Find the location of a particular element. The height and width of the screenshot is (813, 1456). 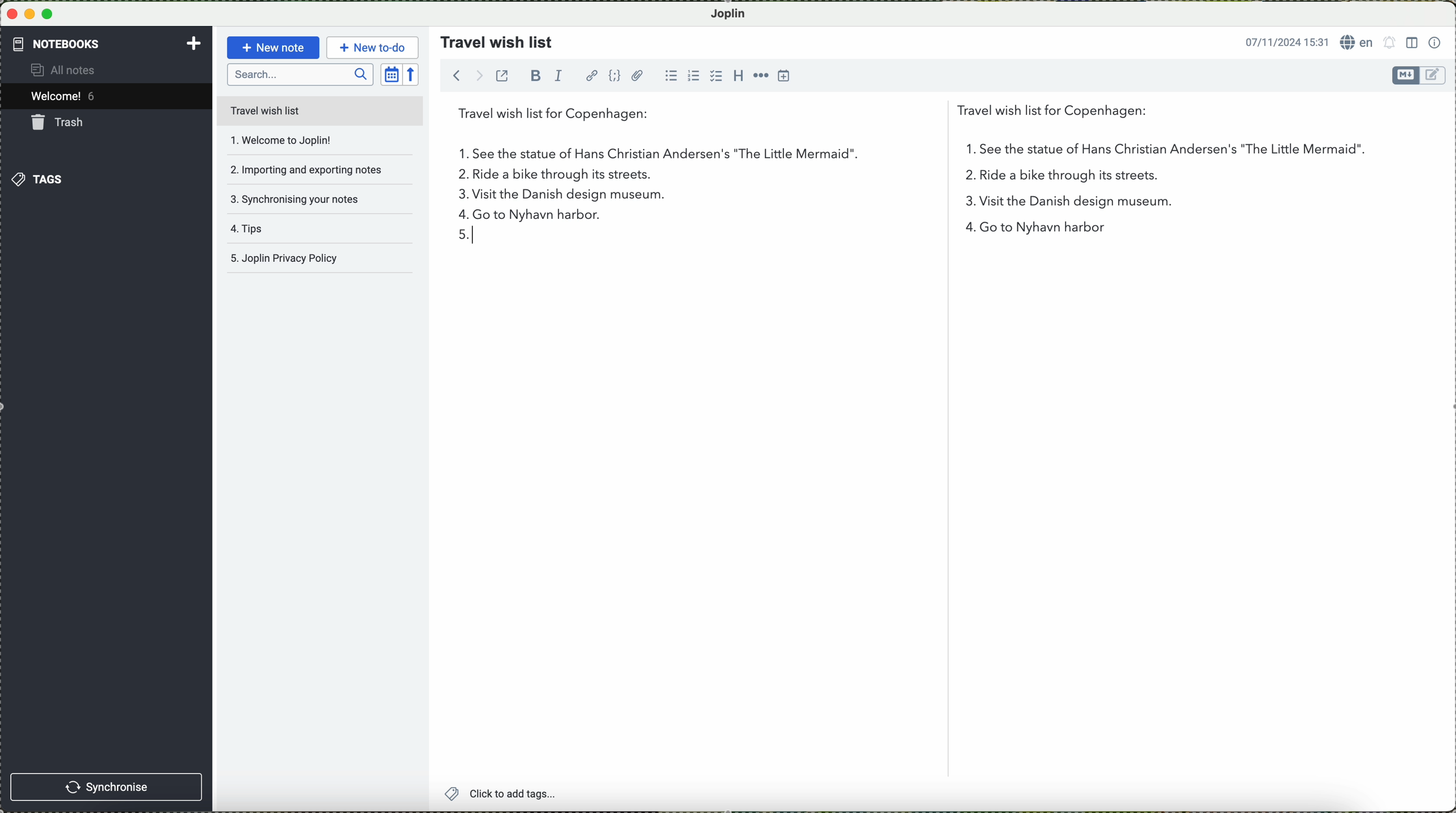

new note button is located at coordinates (271, 47).